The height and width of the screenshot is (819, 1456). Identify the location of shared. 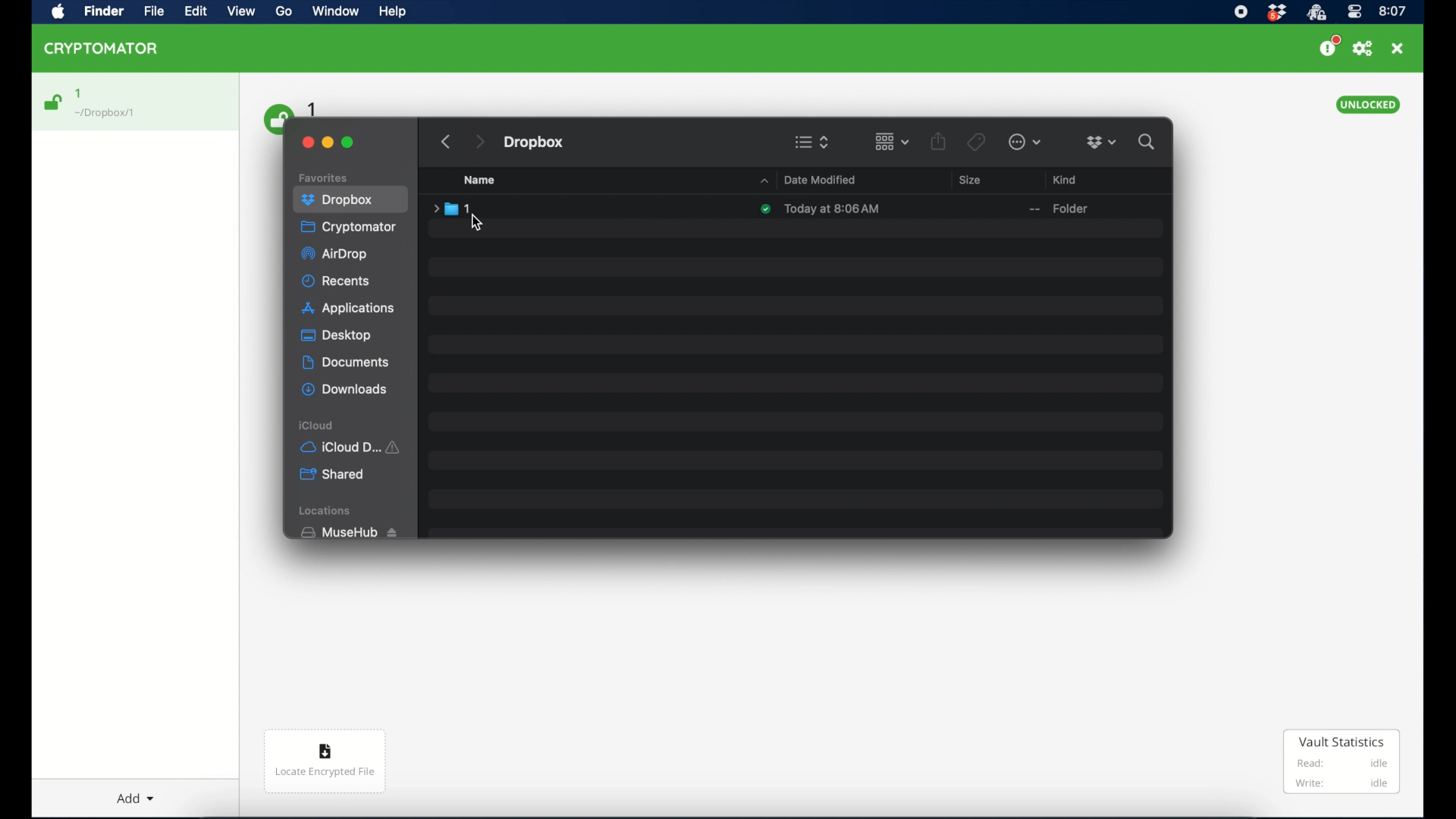
(334, 475).